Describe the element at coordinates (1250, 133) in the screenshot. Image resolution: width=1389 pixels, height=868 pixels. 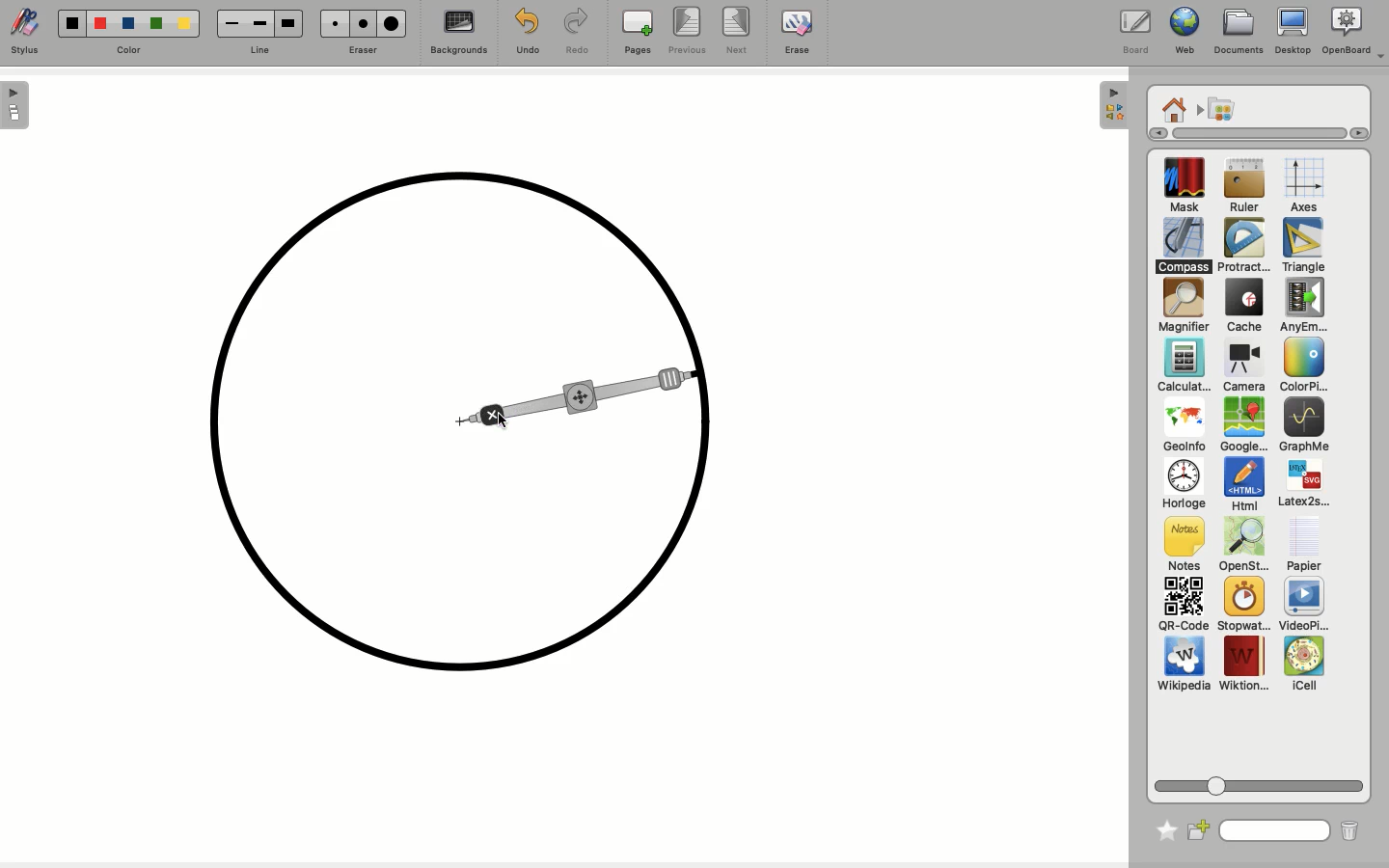
I see `Scroll` at that location.